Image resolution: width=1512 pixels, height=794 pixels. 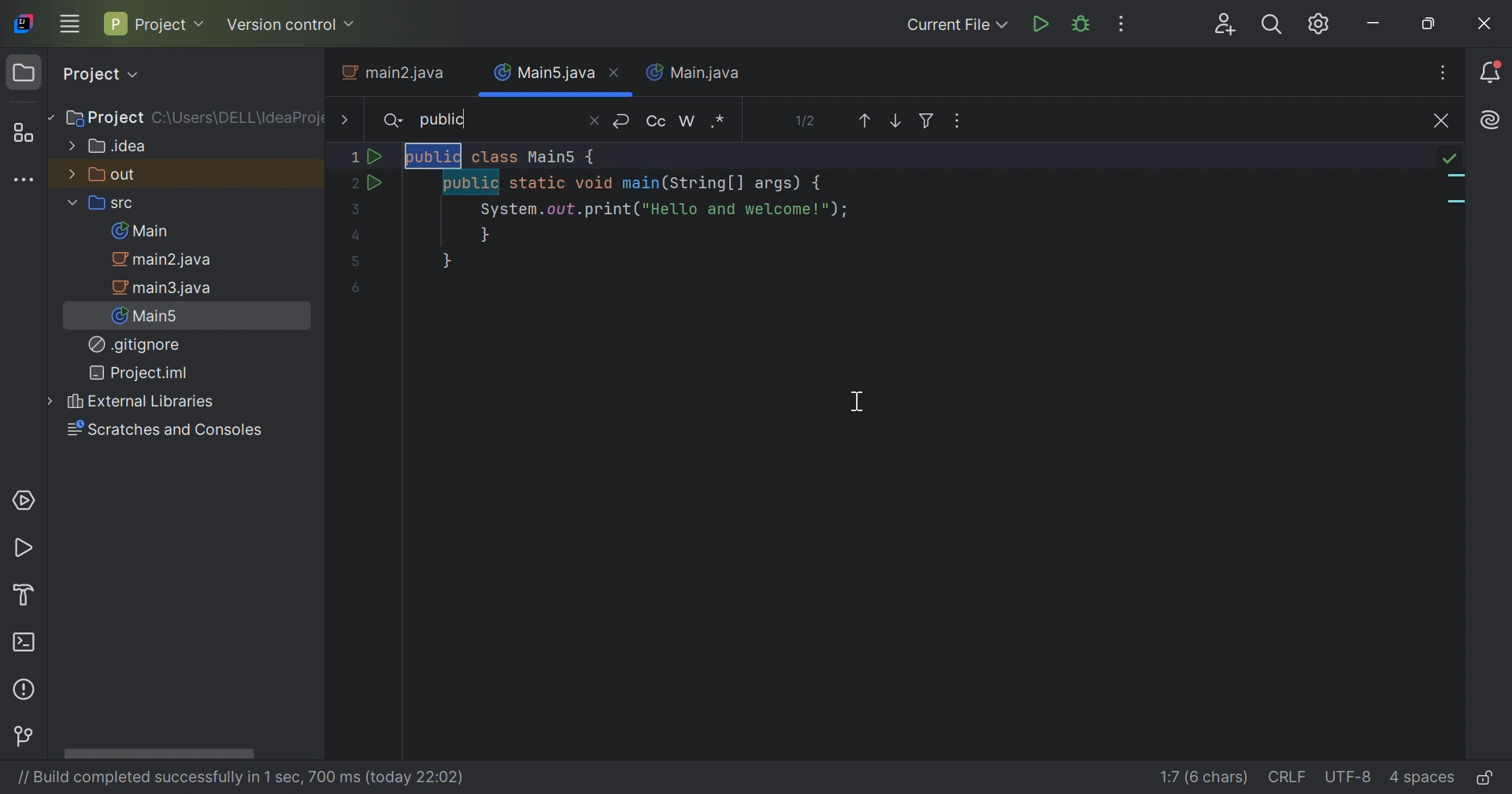 I want to click on Terminal, so click(x=27, y=645).